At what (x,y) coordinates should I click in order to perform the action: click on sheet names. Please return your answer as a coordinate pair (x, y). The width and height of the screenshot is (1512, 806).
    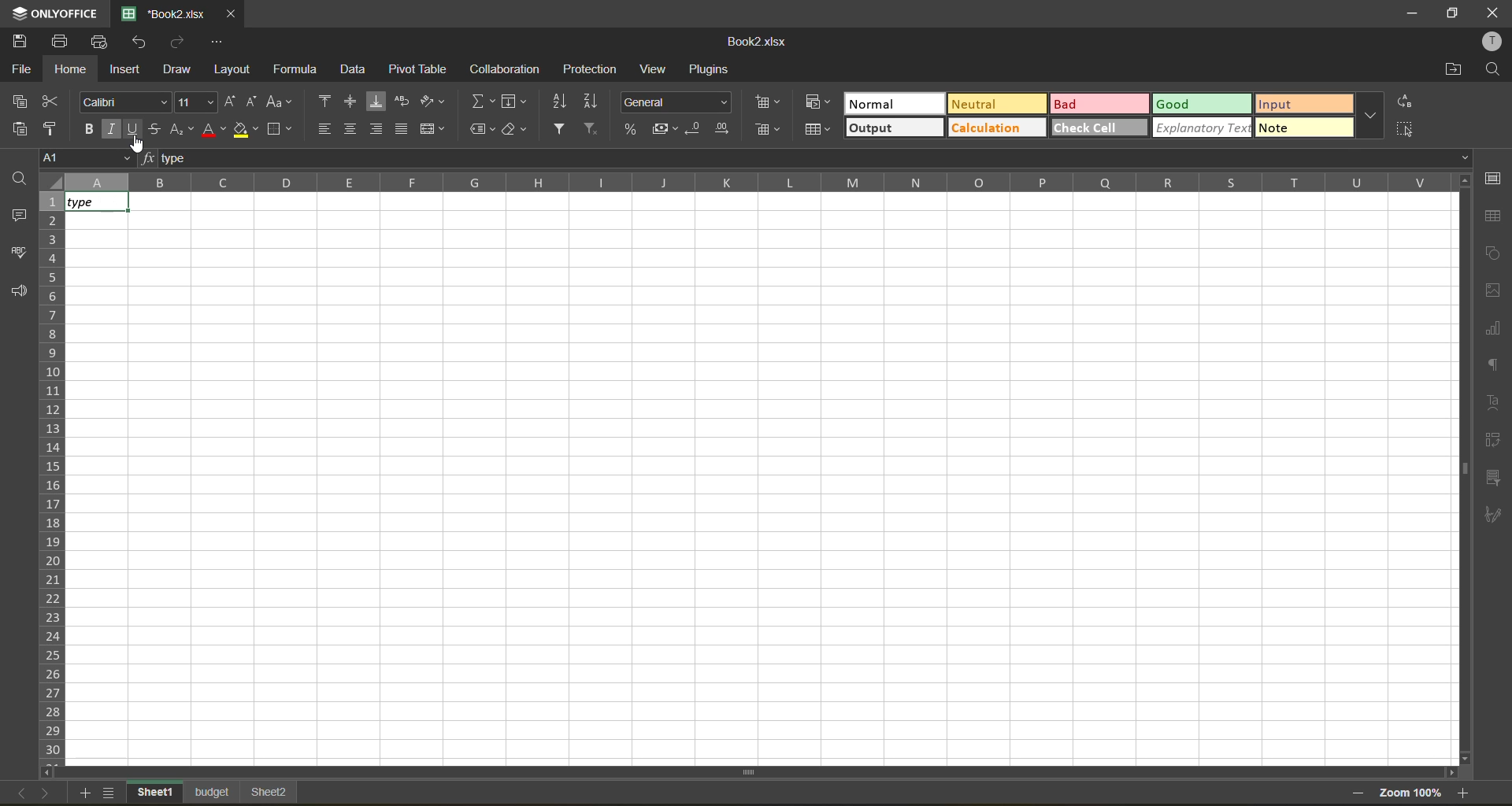
    Looking at the image, I should click on (216, 792).